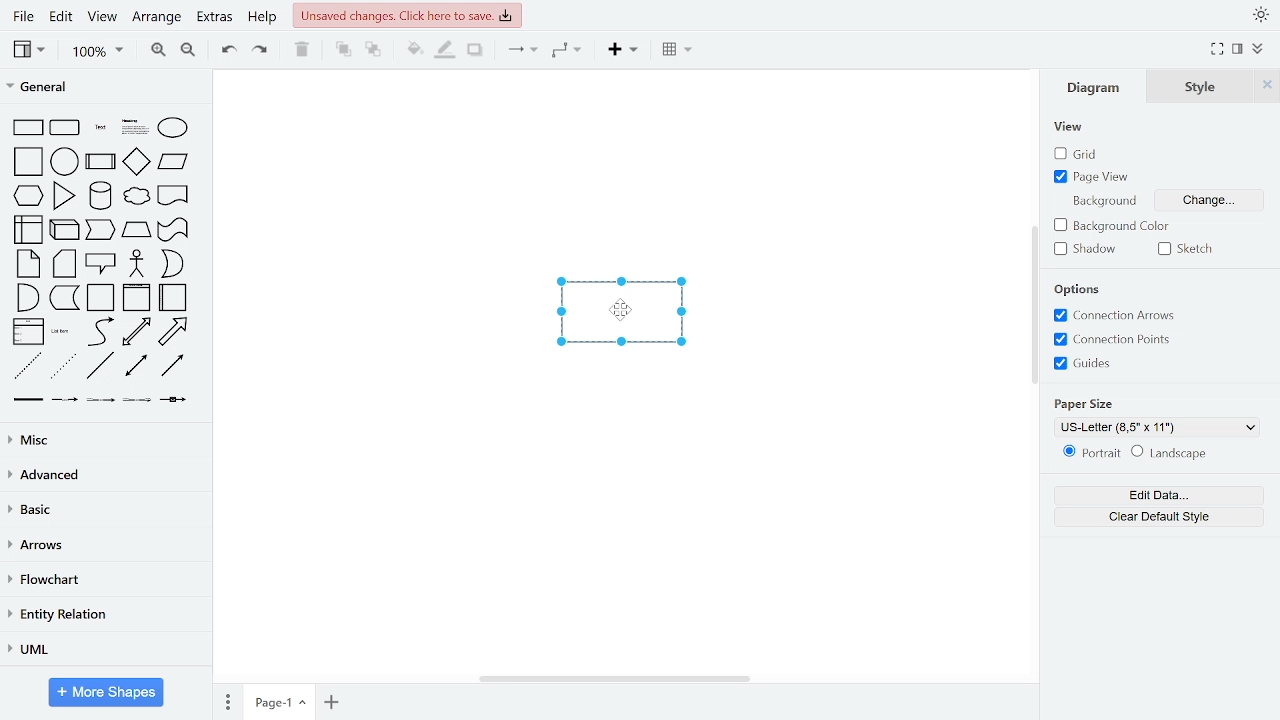  Describe the element at coordinates (102, 511) in the screenshot. I see `basic` at that location.